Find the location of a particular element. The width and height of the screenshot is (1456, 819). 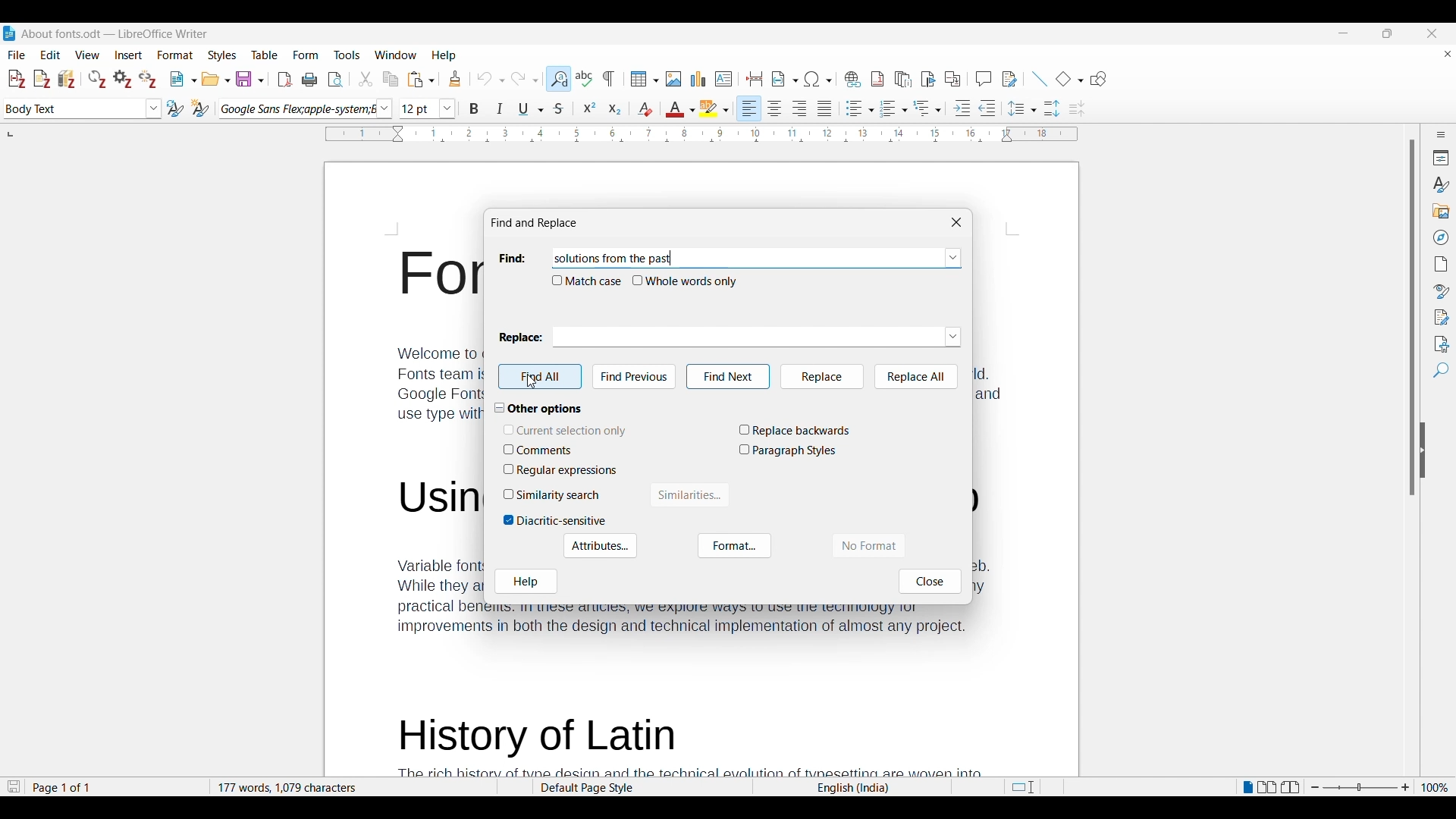

Add/Edit Bibliography is located at coordinates (67, 79).